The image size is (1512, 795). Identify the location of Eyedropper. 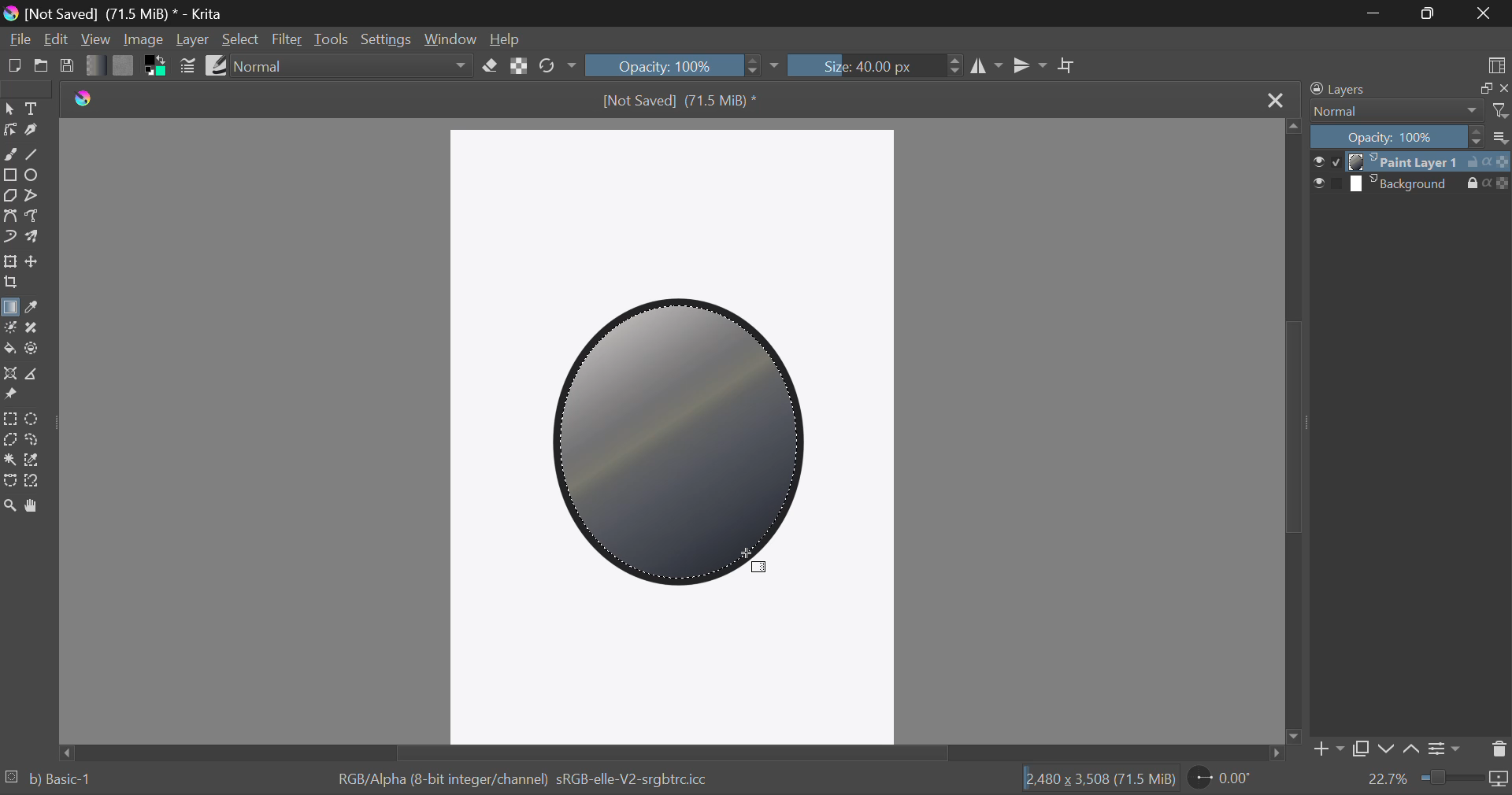
(36, 307).